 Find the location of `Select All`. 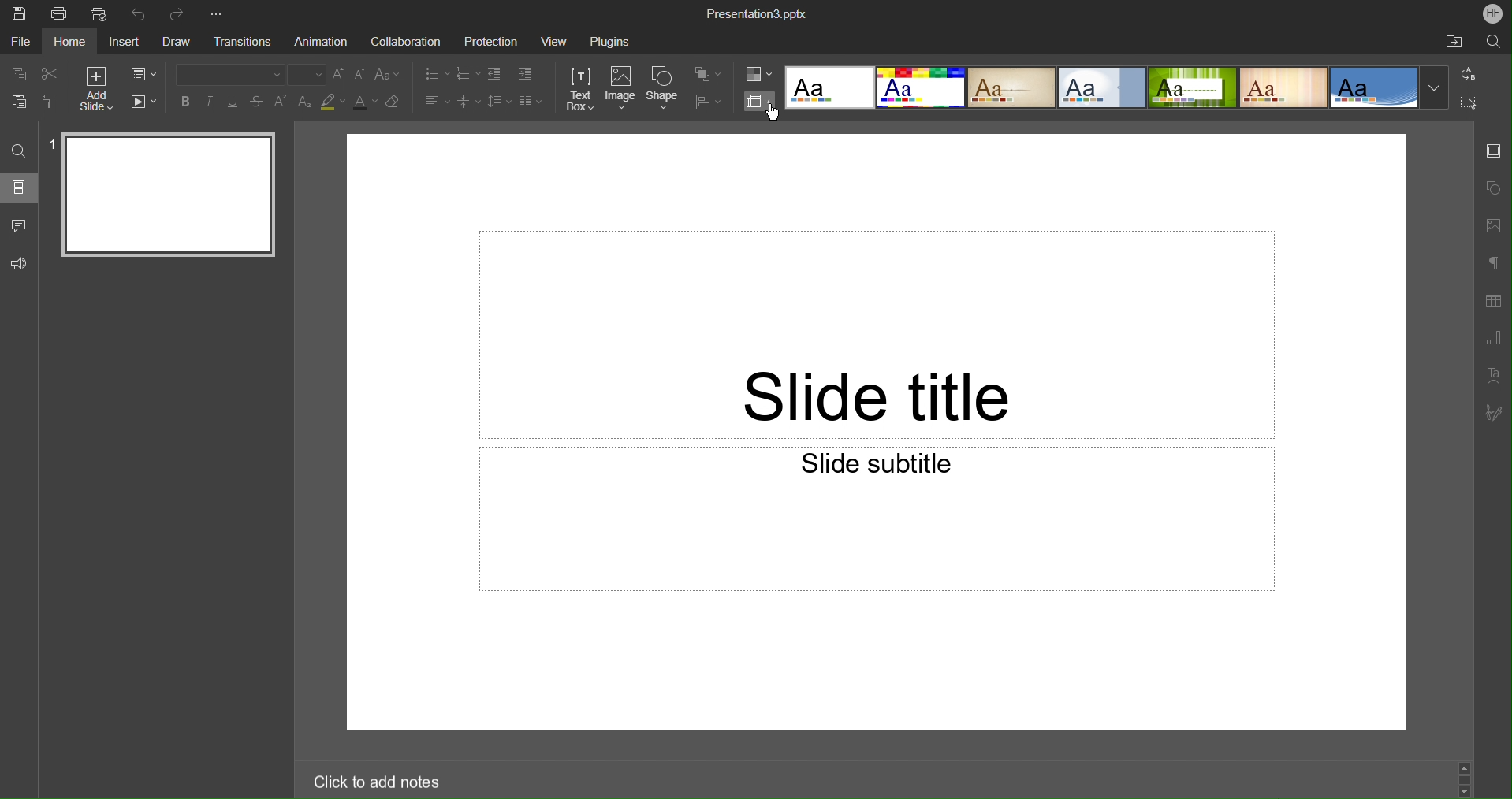

Select All is located at coordinates (1470, 102).